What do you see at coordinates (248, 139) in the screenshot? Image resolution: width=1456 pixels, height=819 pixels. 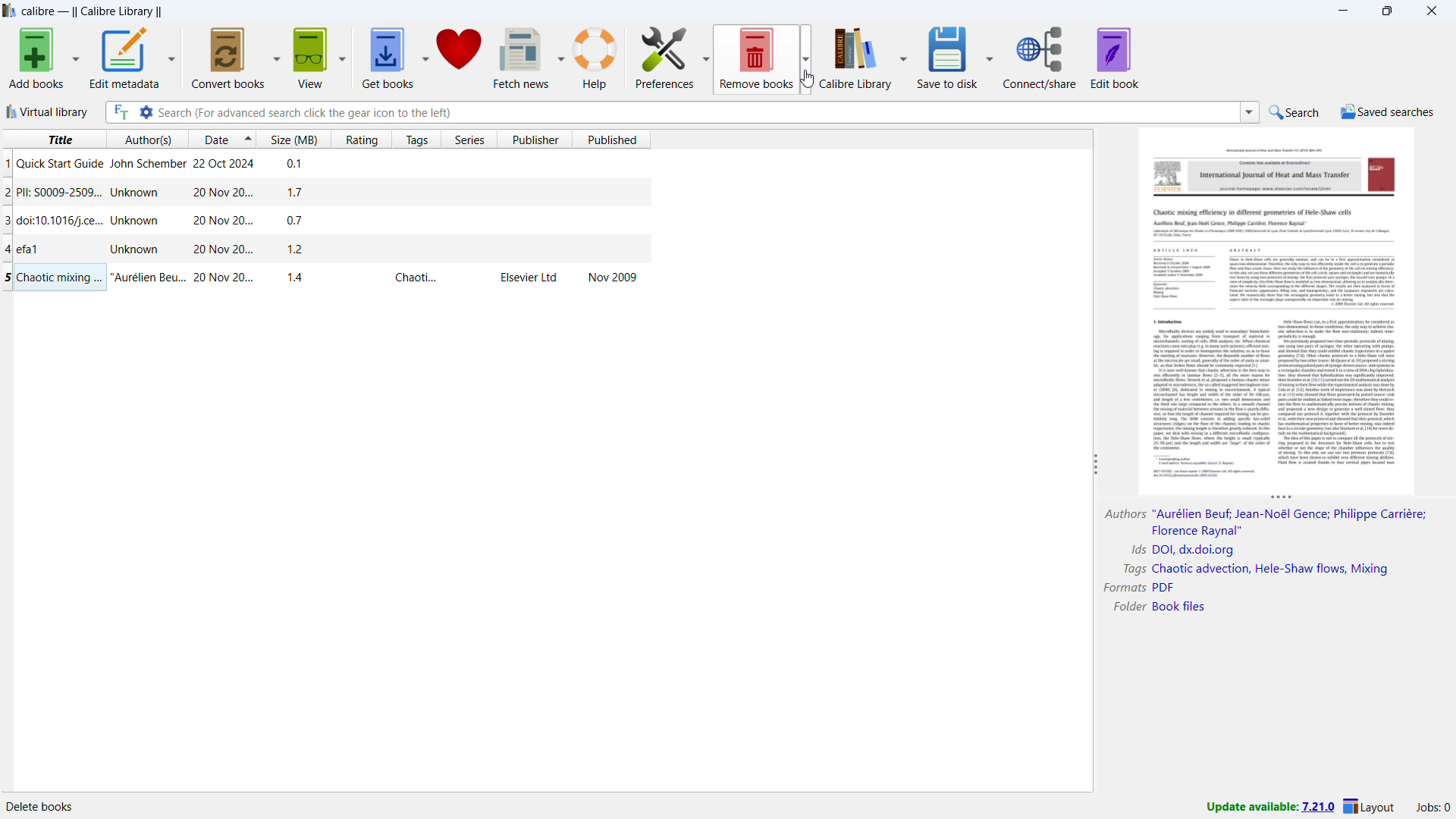 I see `select sorting order` at bounding box center [248, 139].